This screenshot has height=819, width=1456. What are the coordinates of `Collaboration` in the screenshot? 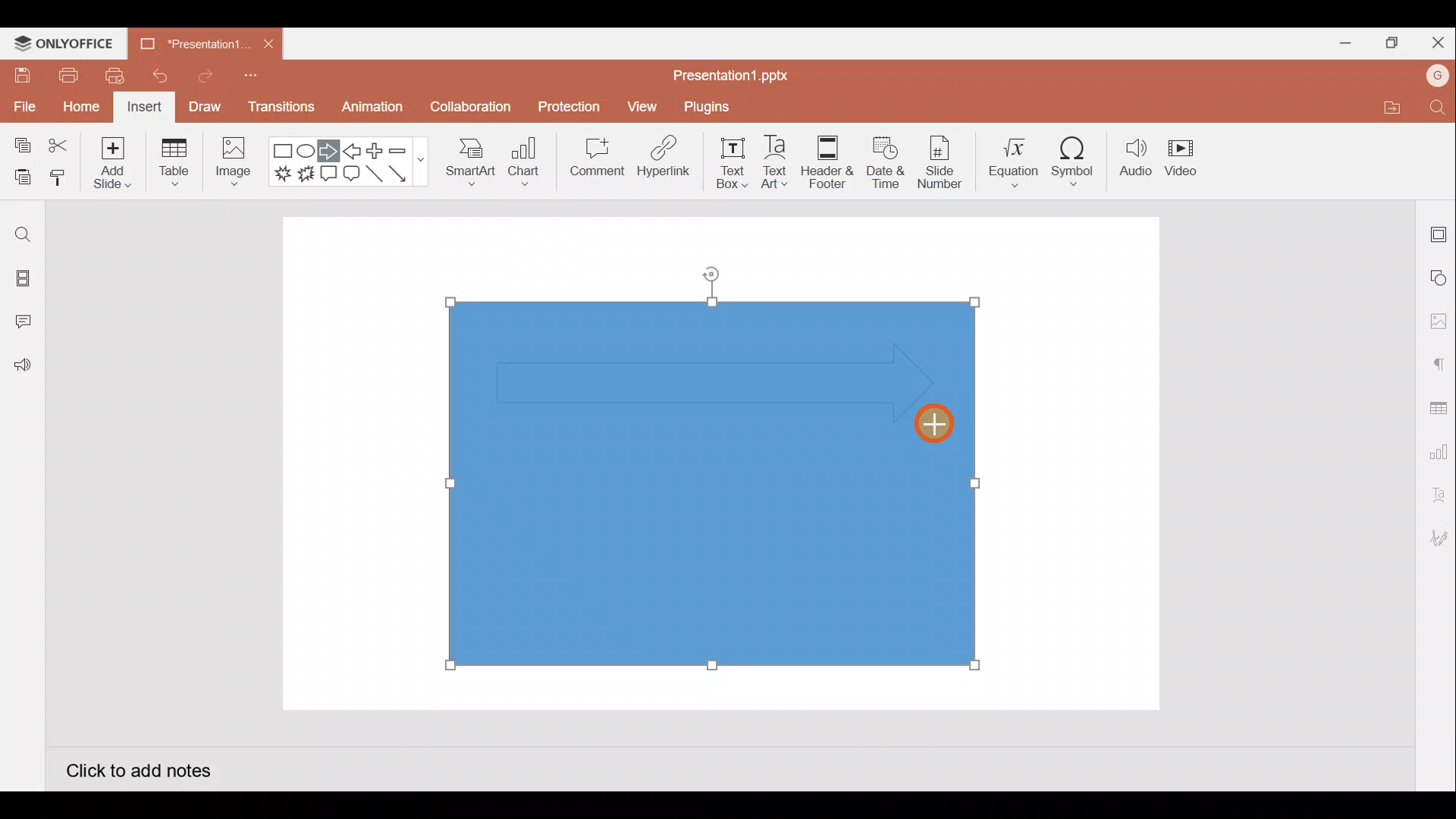 It's located at (469, 113).